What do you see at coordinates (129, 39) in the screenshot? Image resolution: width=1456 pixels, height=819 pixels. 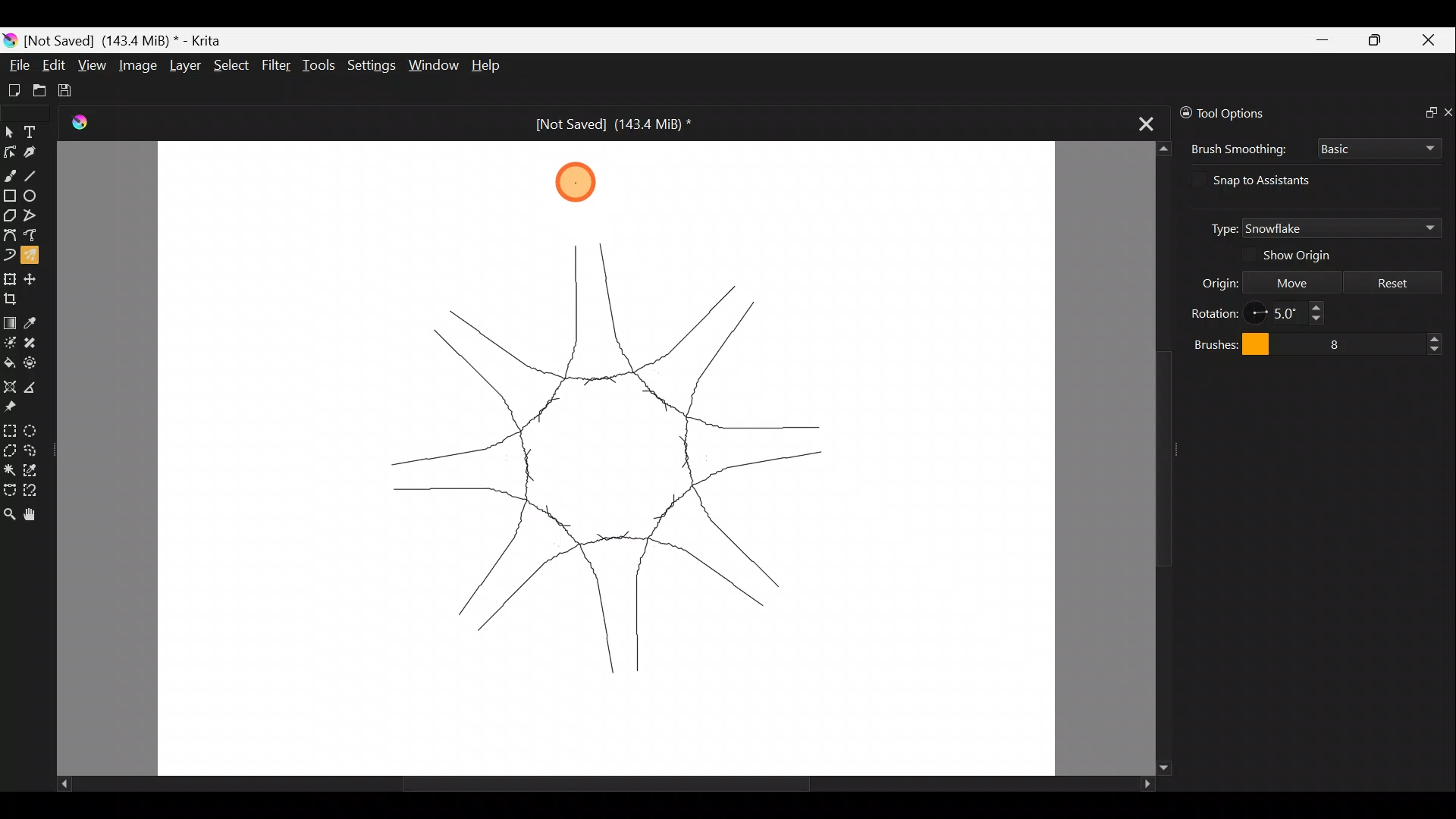 I see `Not Saved] (143.4 MiB) *` at bounding box center [129, 39].